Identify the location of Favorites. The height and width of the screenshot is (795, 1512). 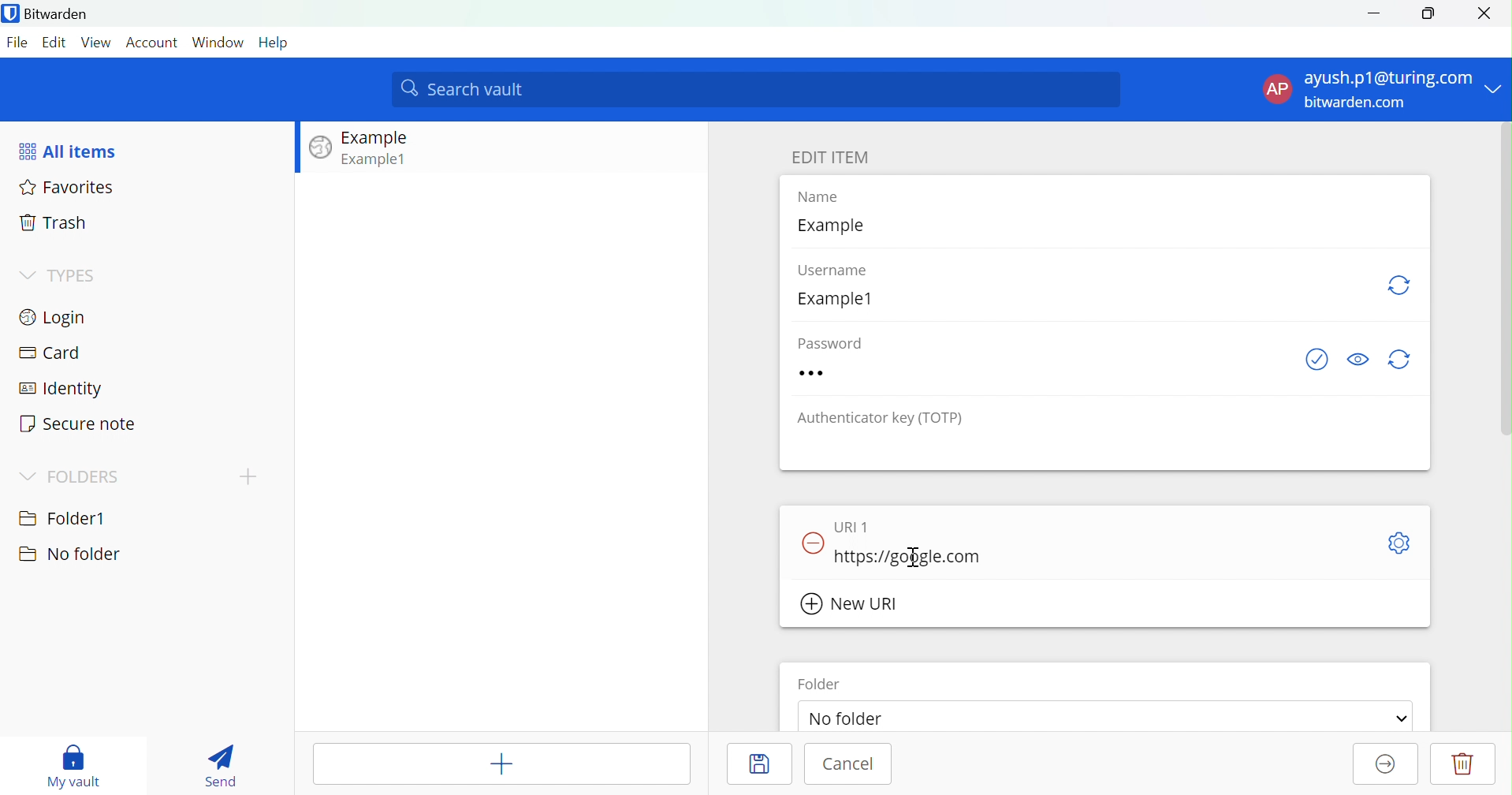
(69, 189).